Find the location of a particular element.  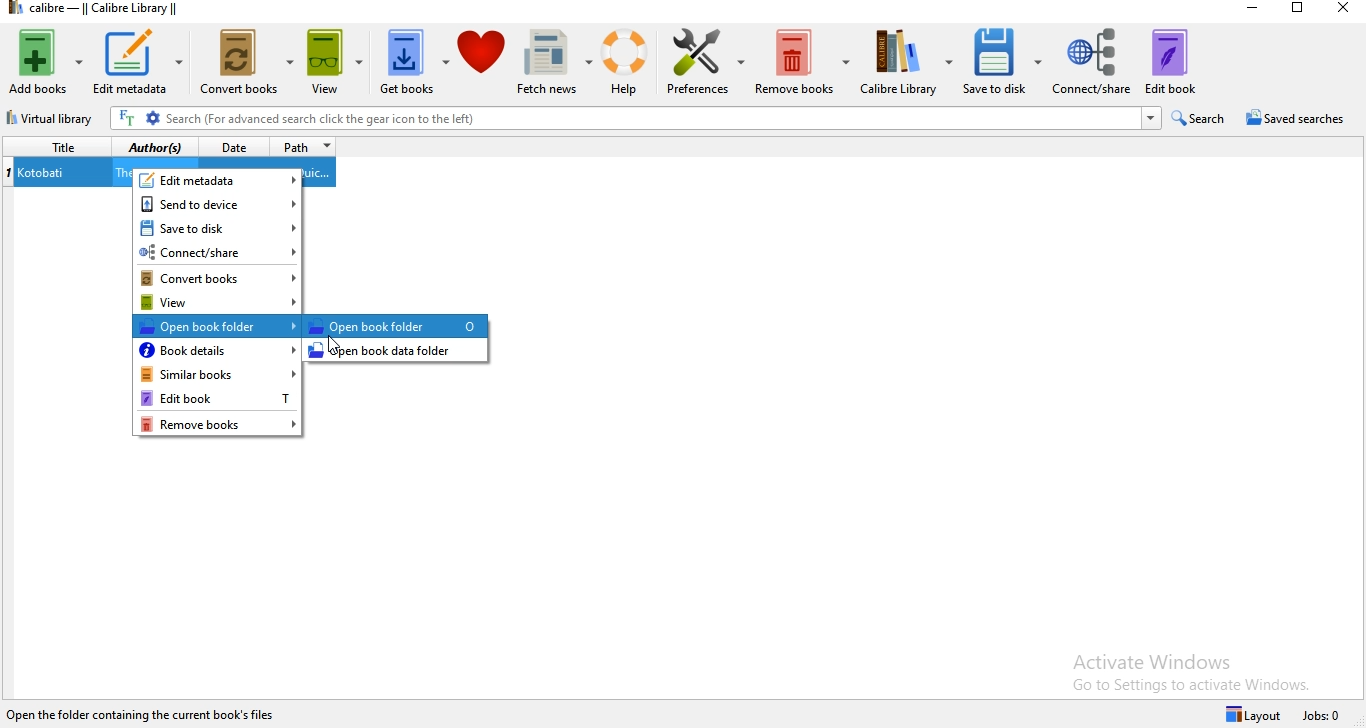

save to disk is located at coordinates (1001, 64).